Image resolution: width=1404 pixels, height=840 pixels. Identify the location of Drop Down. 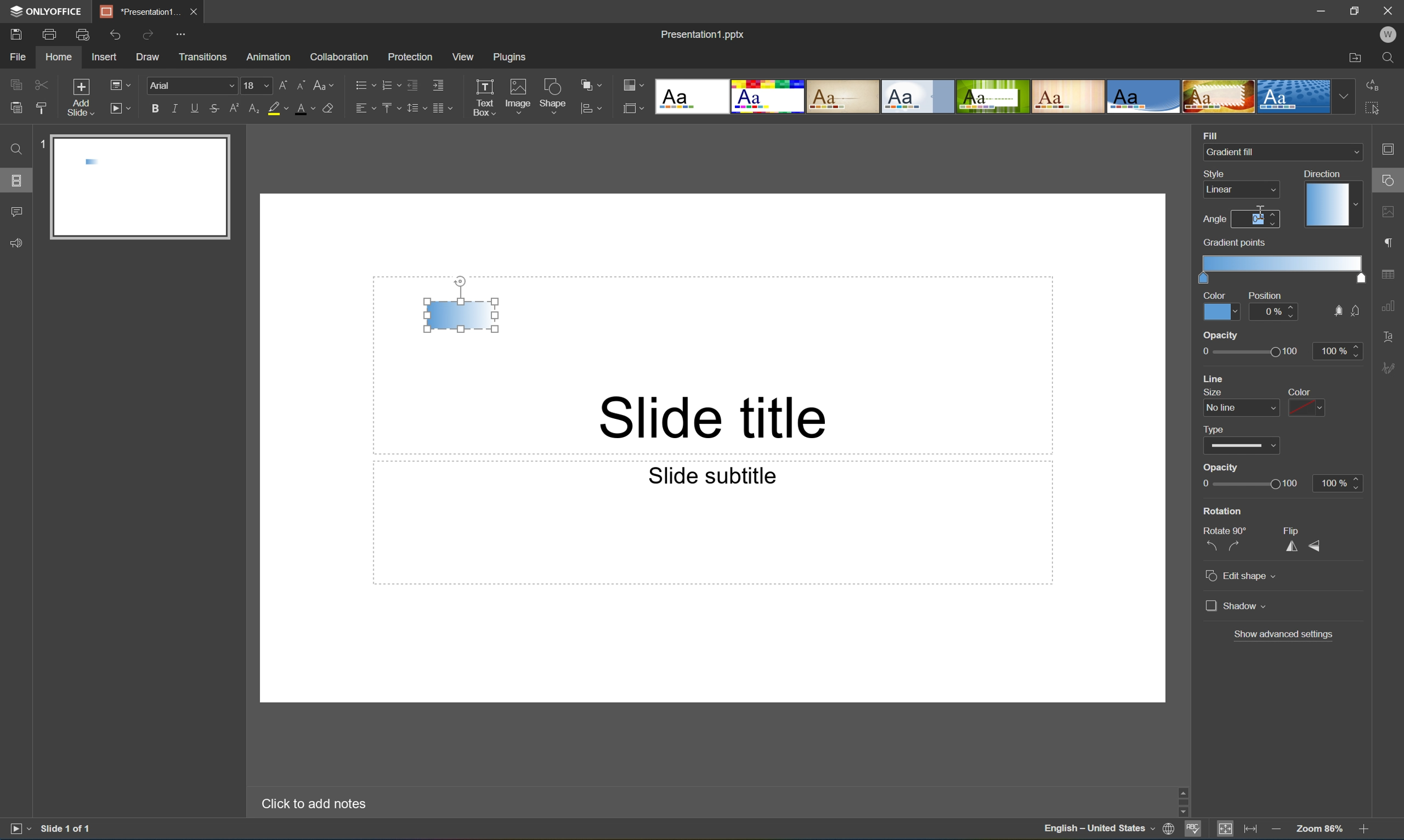
(1345, 96).